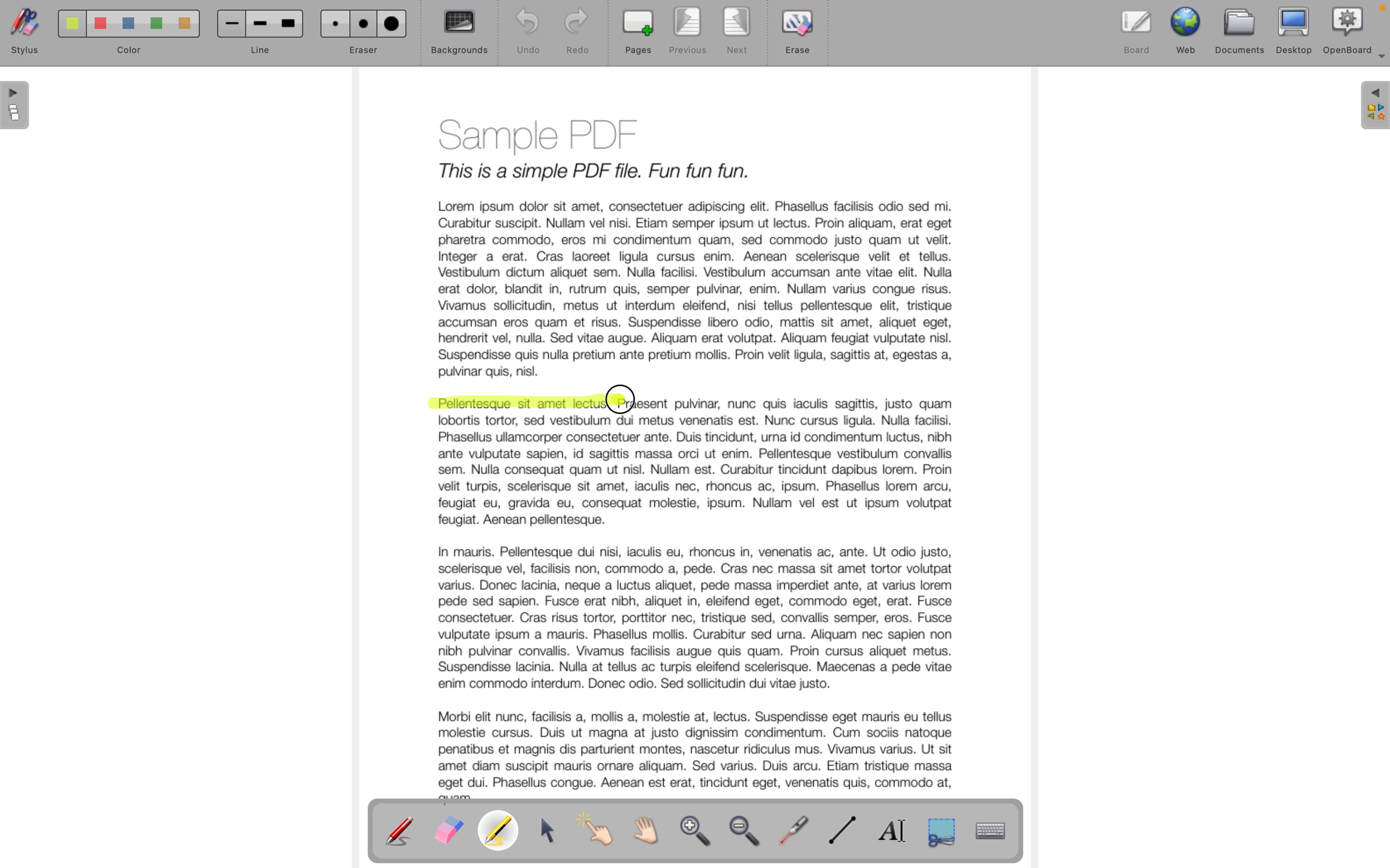 The width and height of the screenshot is (1390, 868). I want to click on erase, so click(800, 38).